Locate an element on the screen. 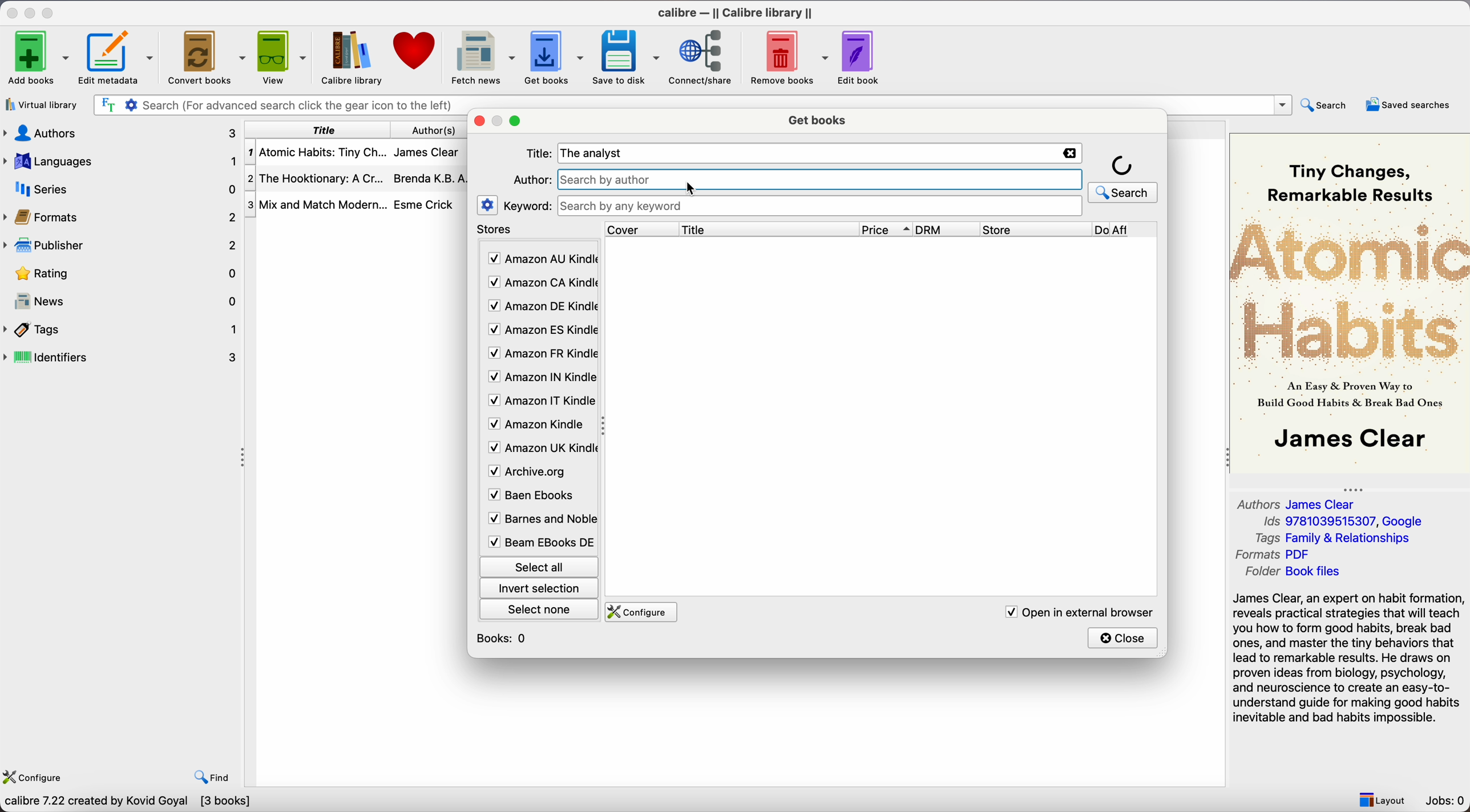  minimize app is located at coordinates (32, 11).